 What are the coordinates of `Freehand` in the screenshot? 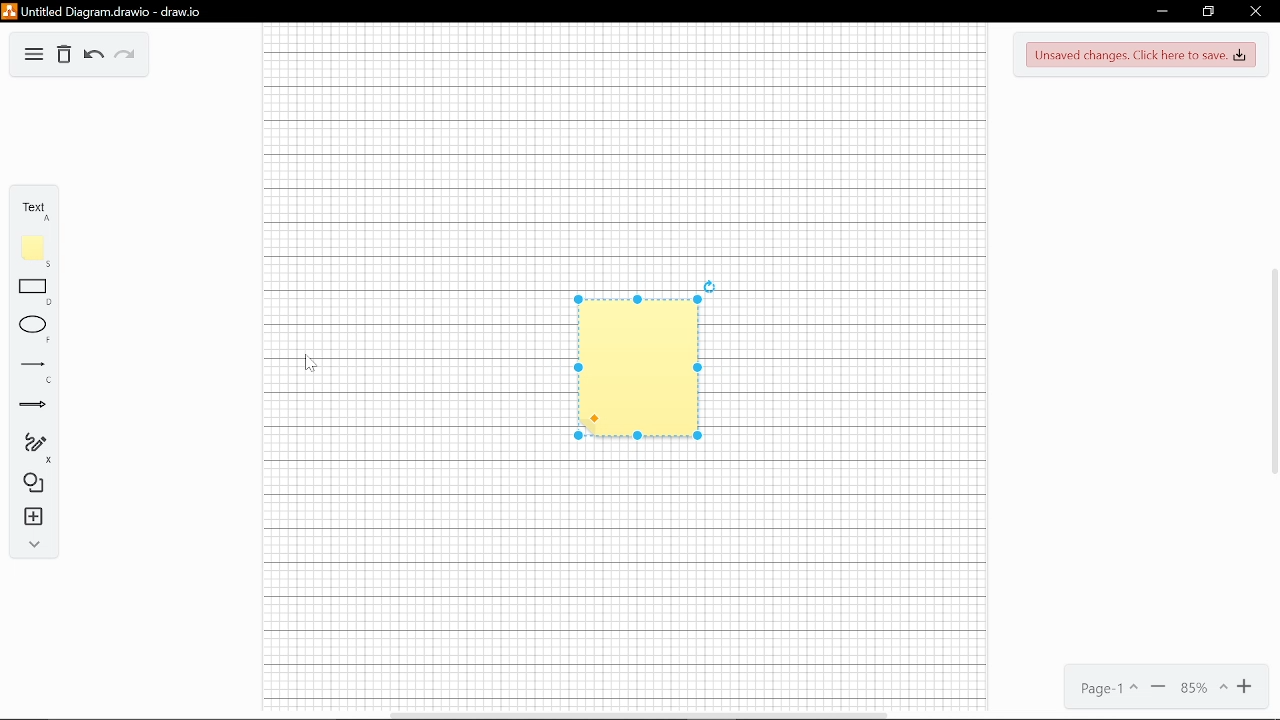 It's located at (34, 443).